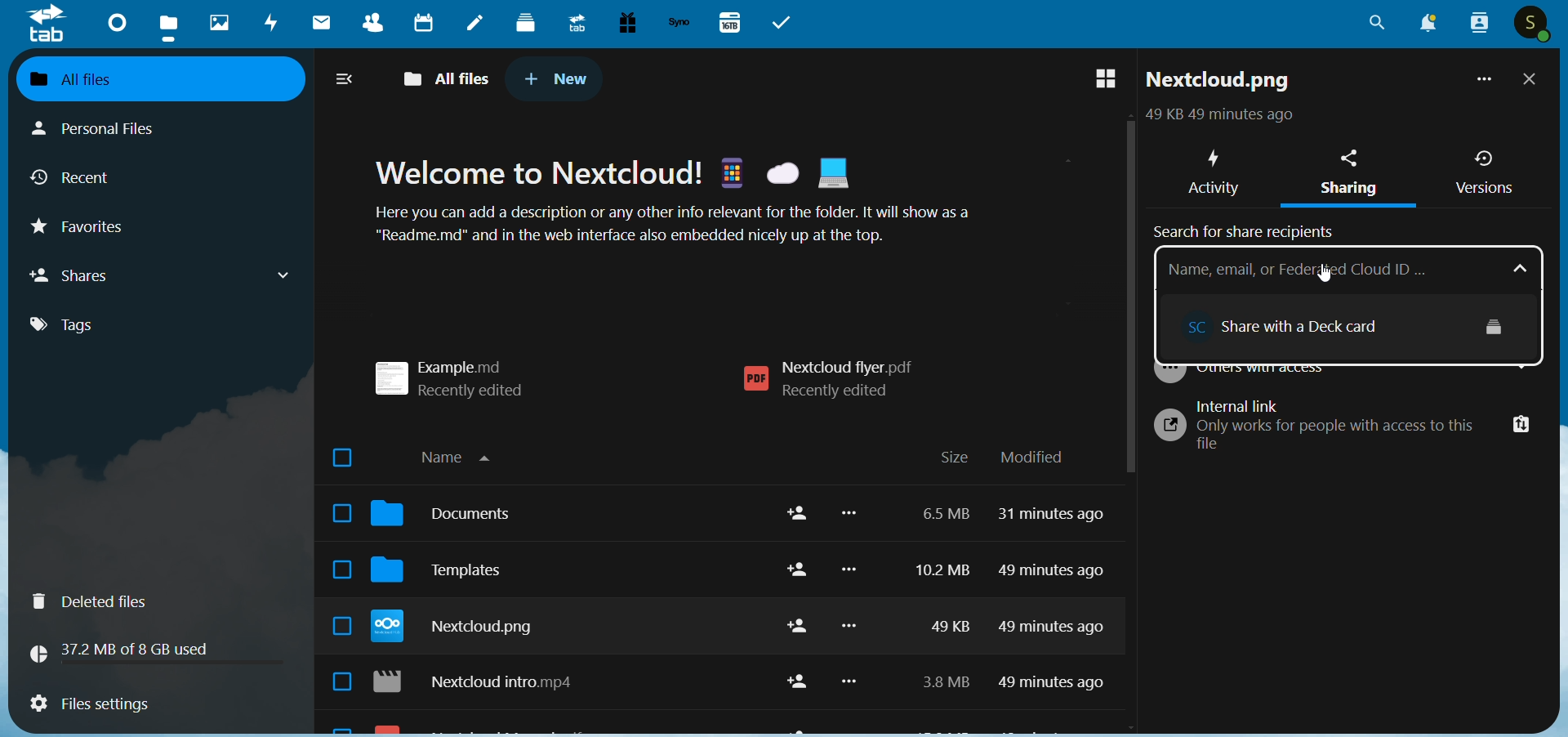  I want to click on dashboard, so click(114, 21).